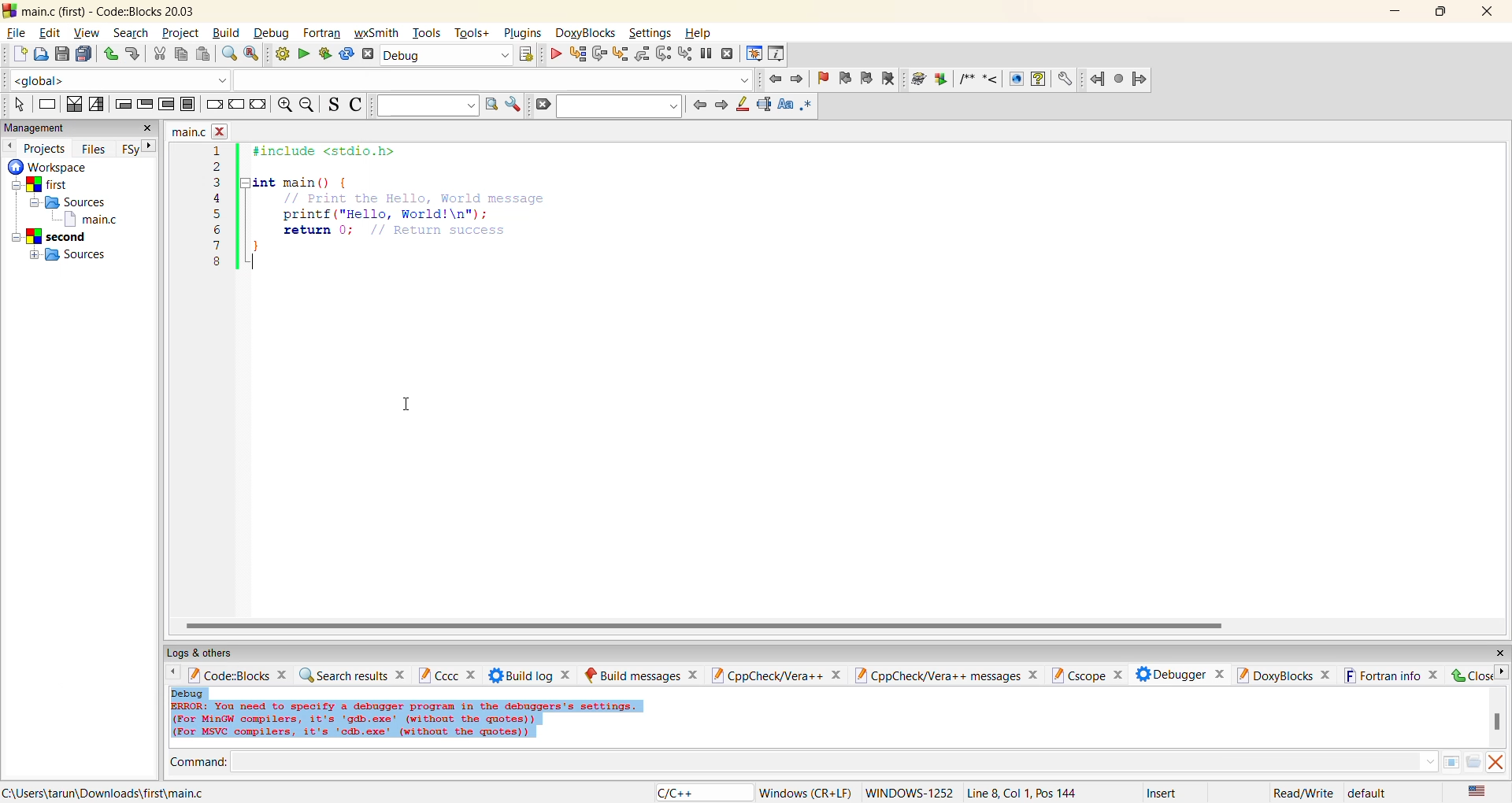  I want to click on build, so click(228, 31).